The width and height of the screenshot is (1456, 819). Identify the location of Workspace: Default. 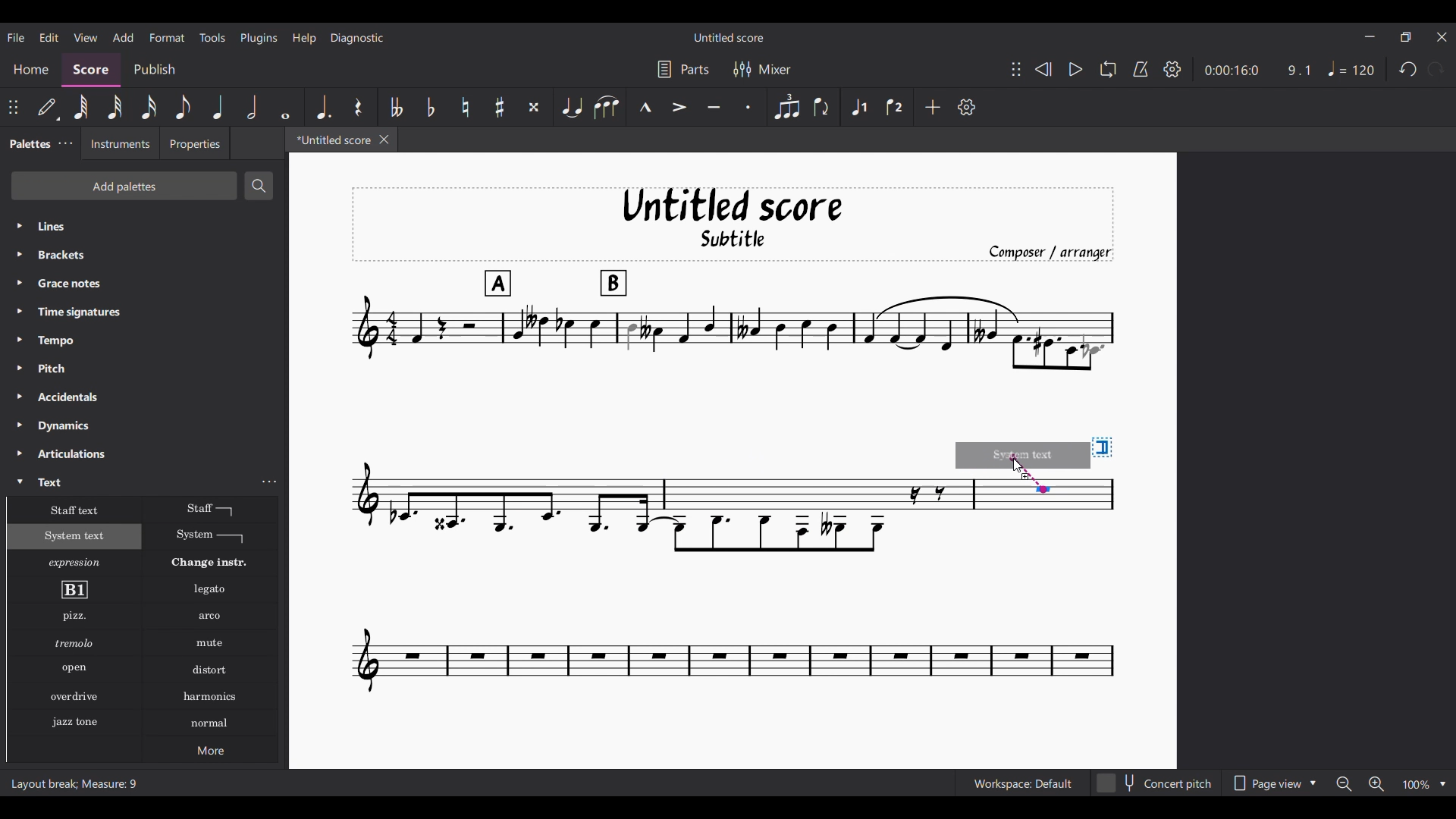
(1023, 783).